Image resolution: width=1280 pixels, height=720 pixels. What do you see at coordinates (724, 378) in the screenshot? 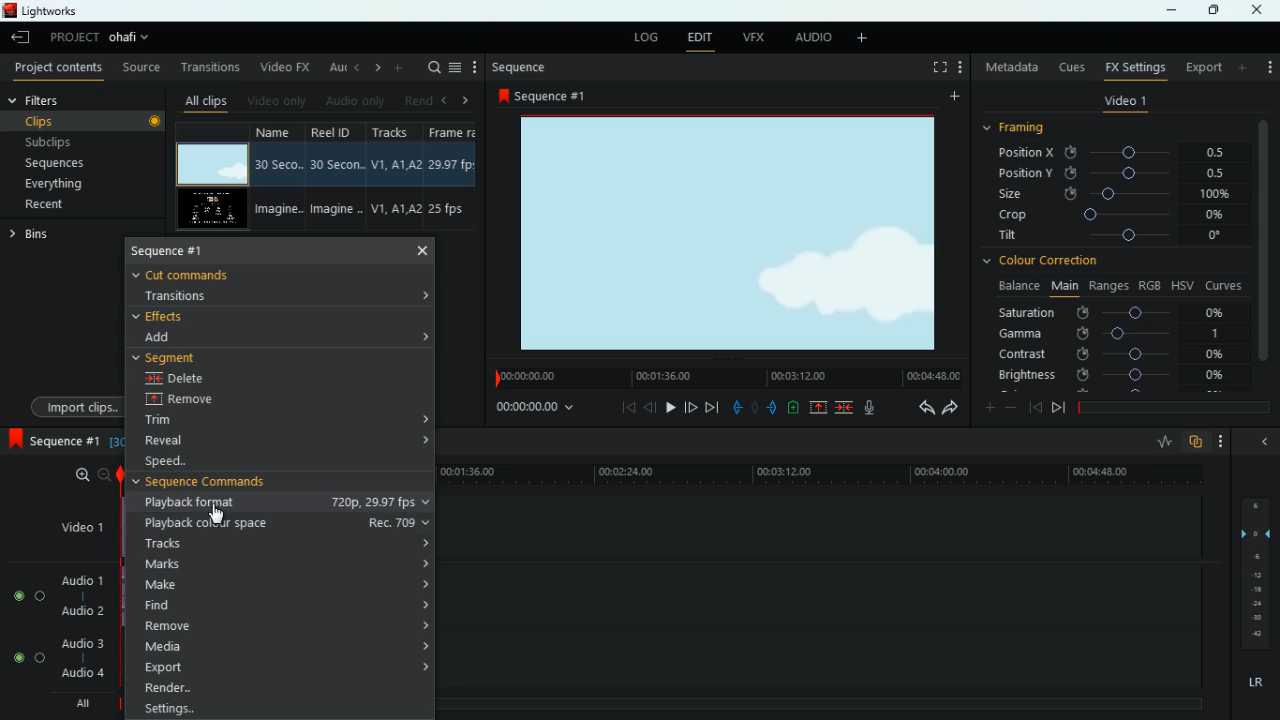
I see `time` at bounding box center [724, 378].